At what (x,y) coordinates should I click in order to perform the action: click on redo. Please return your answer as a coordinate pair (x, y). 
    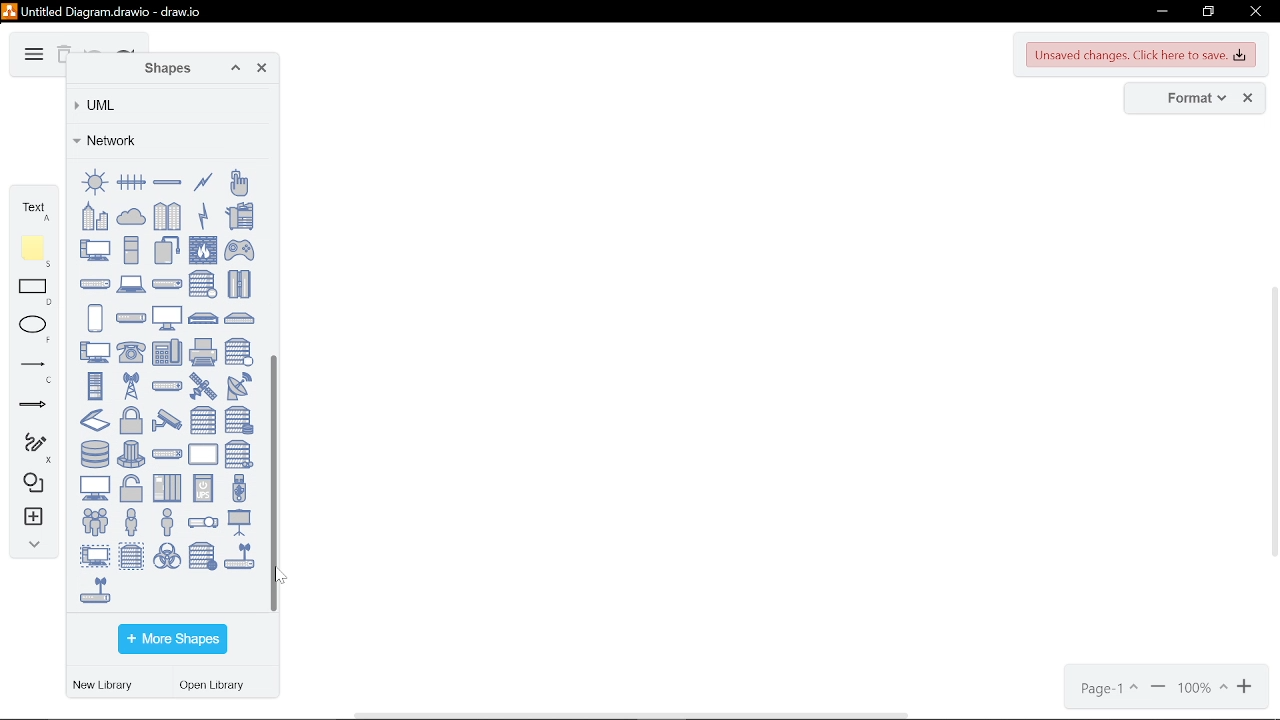
    Looking at the image, I should click on (126, 50).